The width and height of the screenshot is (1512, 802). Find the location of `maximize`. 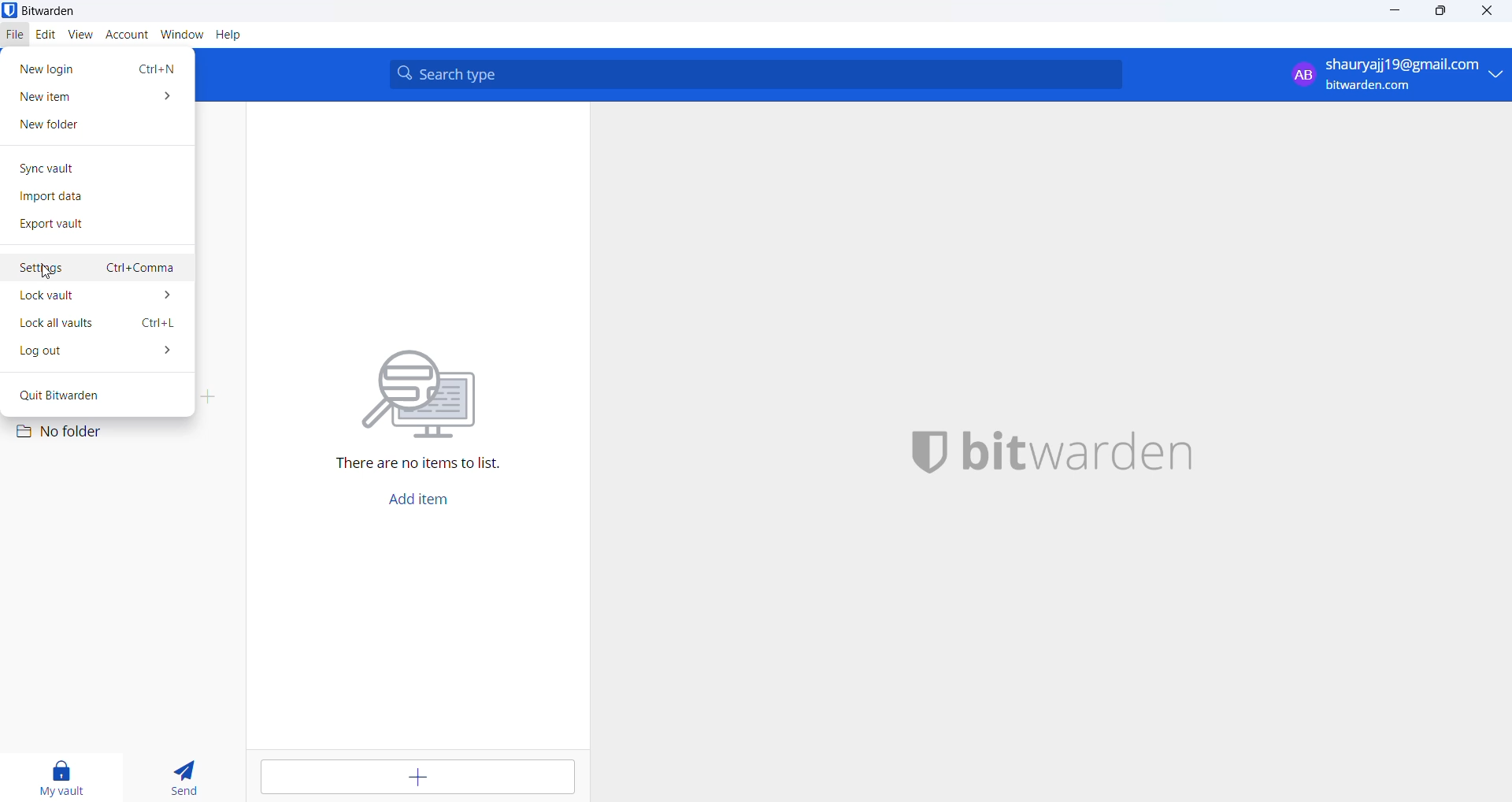

maximize is located at coordinates (1435, 12).